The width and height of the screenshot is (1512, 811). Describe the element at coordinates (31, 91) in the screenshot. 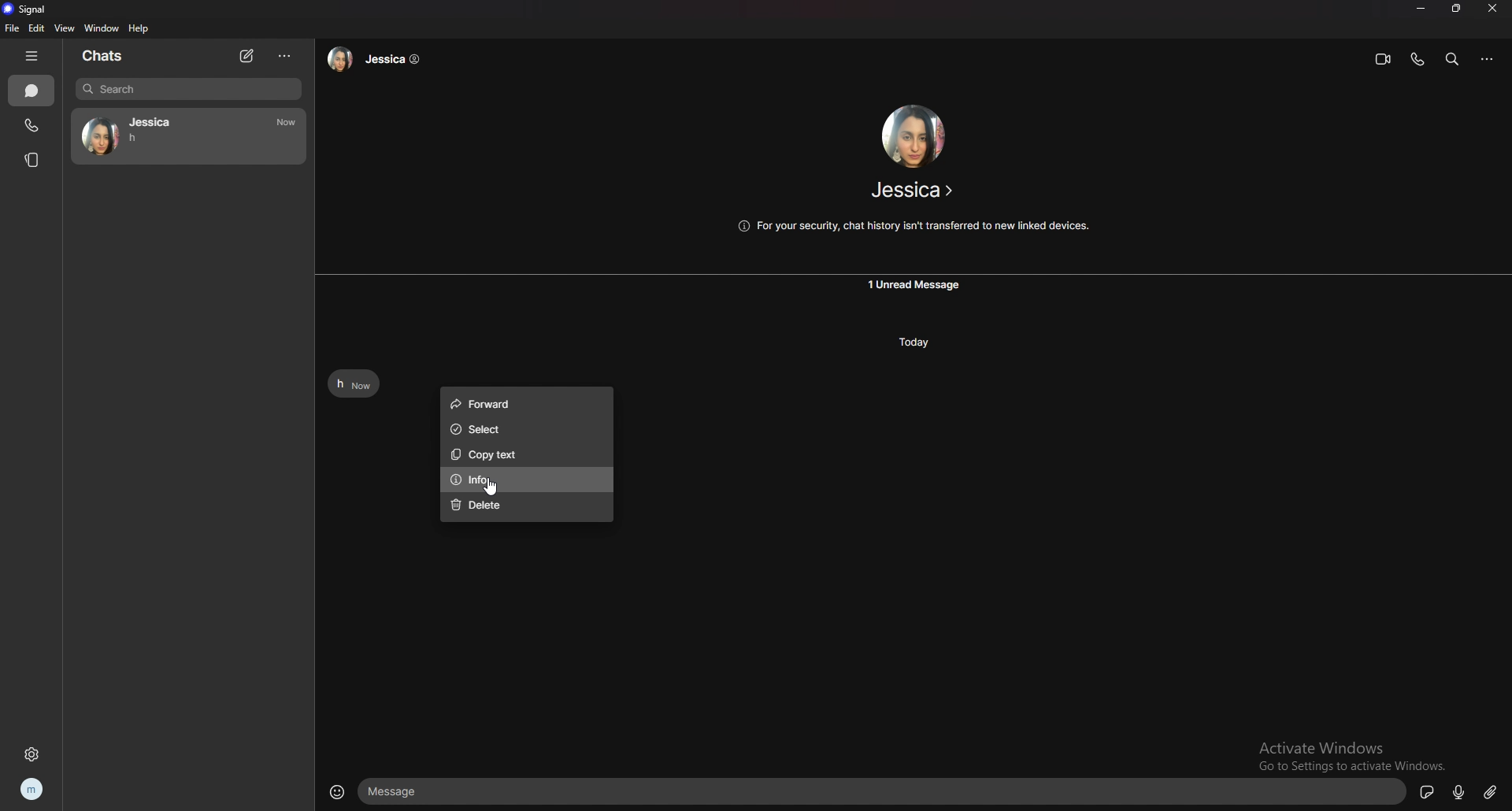

I see `chats` at that location.